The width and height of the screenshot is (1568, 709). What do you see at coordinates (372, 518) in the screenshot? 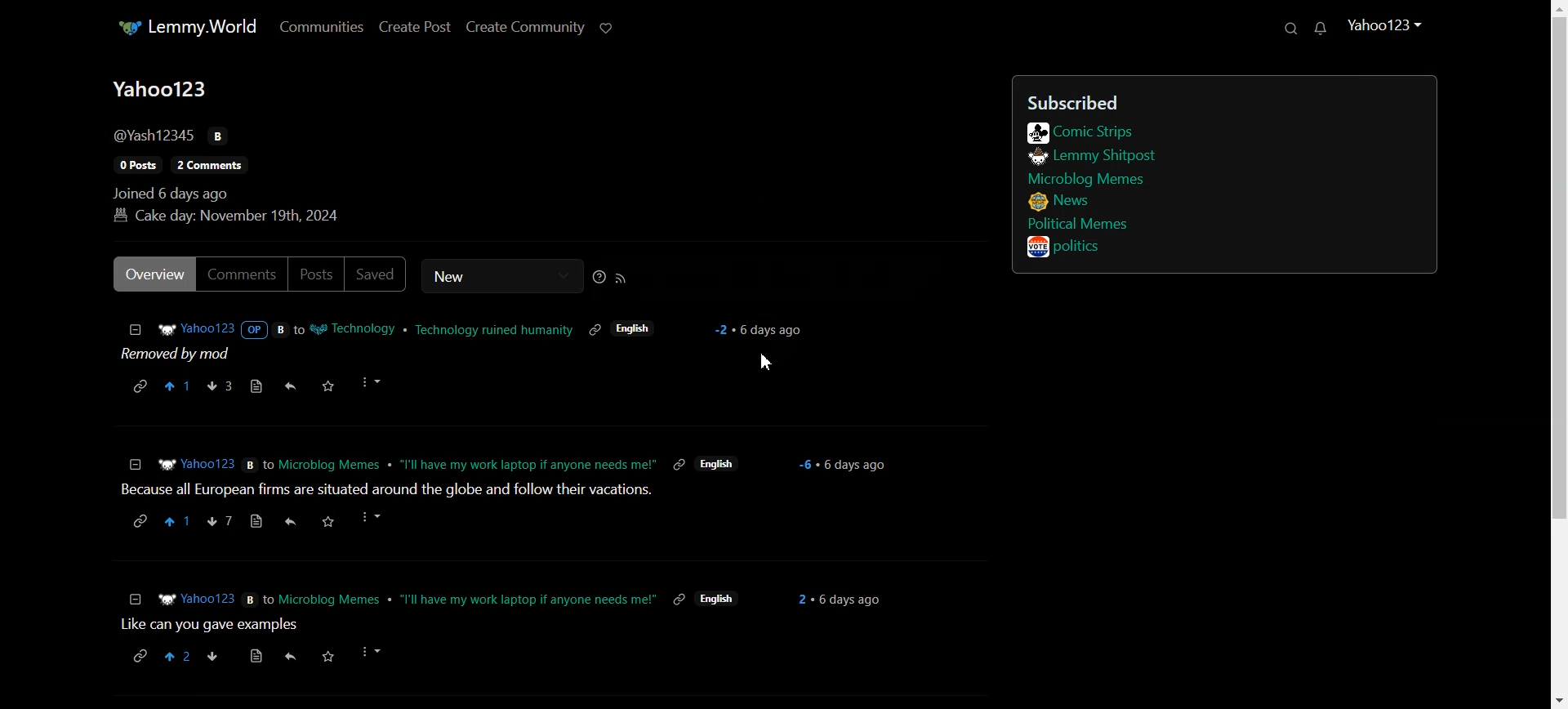
I see `` at bounding box center [372, 518].